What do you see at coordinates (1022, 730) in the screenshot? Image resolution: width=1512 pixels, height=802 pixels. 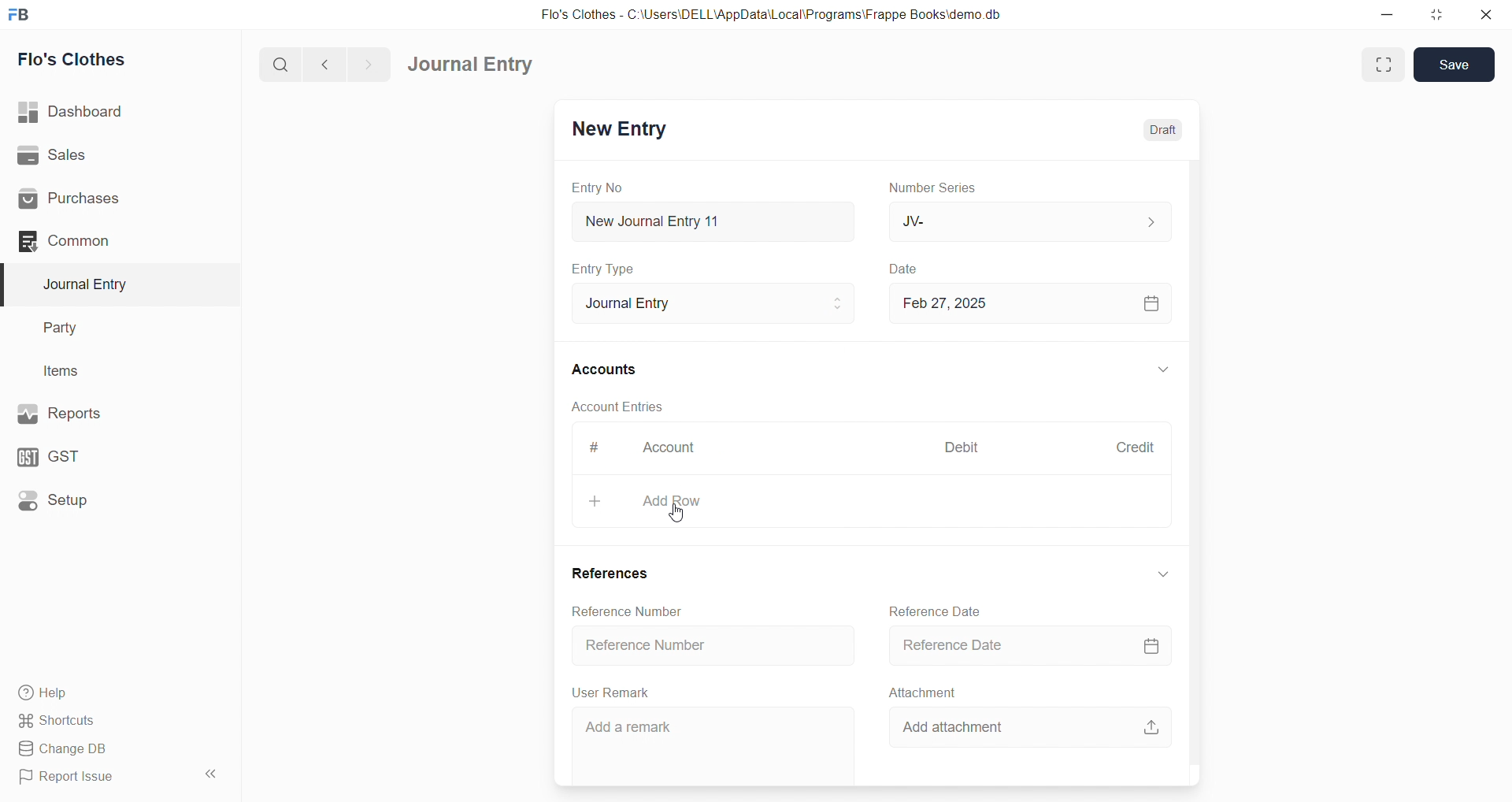 I see `Add attachment` at bounding box center [1022, 730].